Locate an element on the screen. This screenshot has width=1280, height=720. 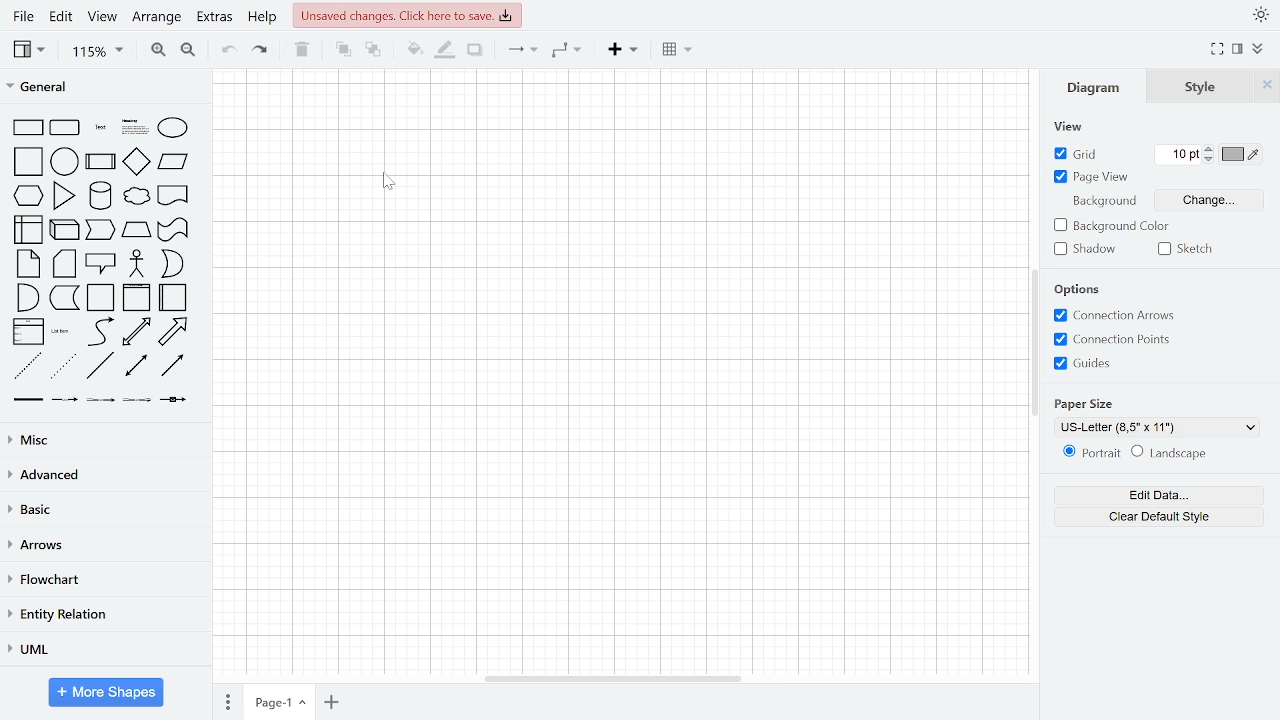
zoom out is located at coordinates (186, 50).